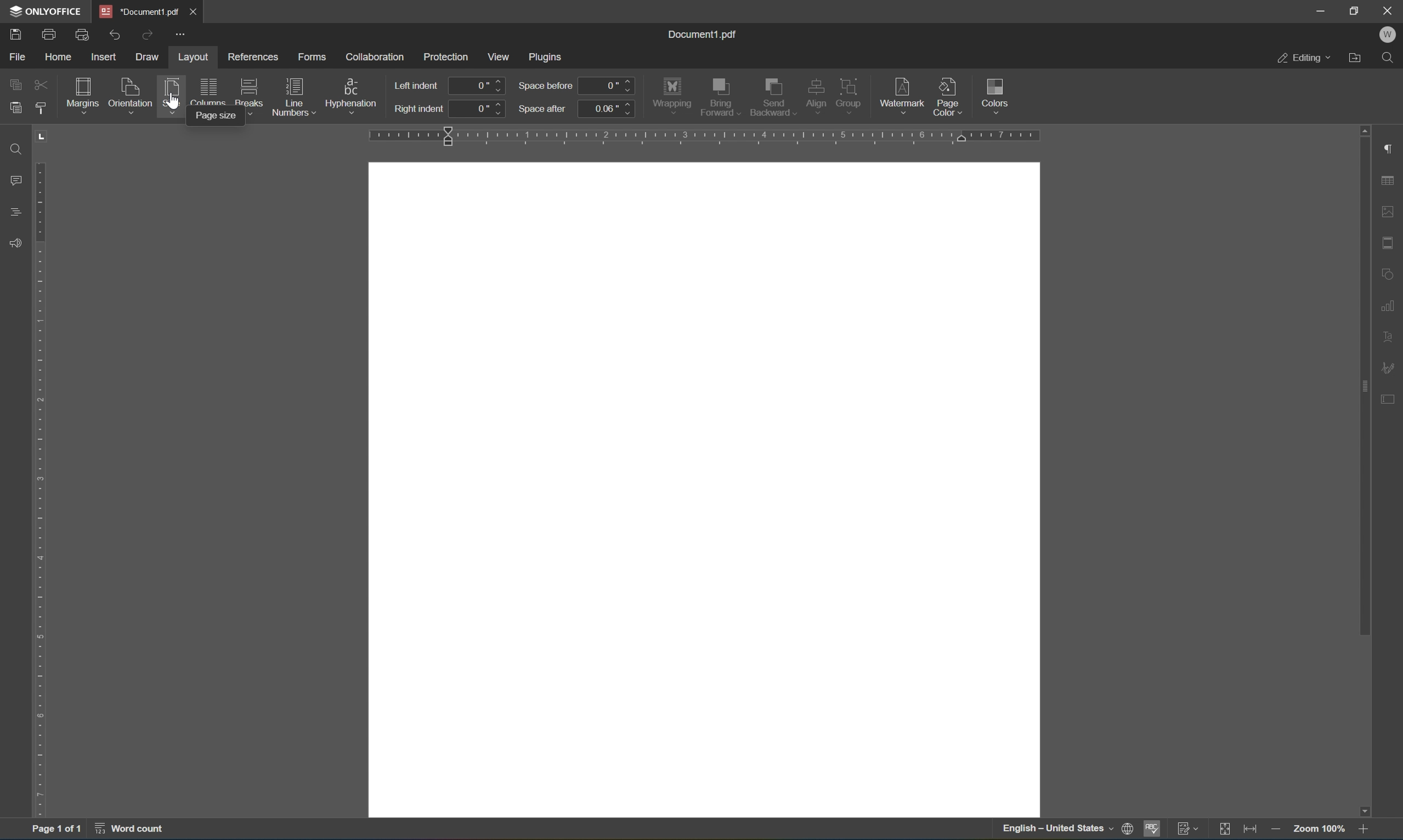  Describe the element at coordinates (375, 55) in the screenshot. I see `colaboration` at that location.